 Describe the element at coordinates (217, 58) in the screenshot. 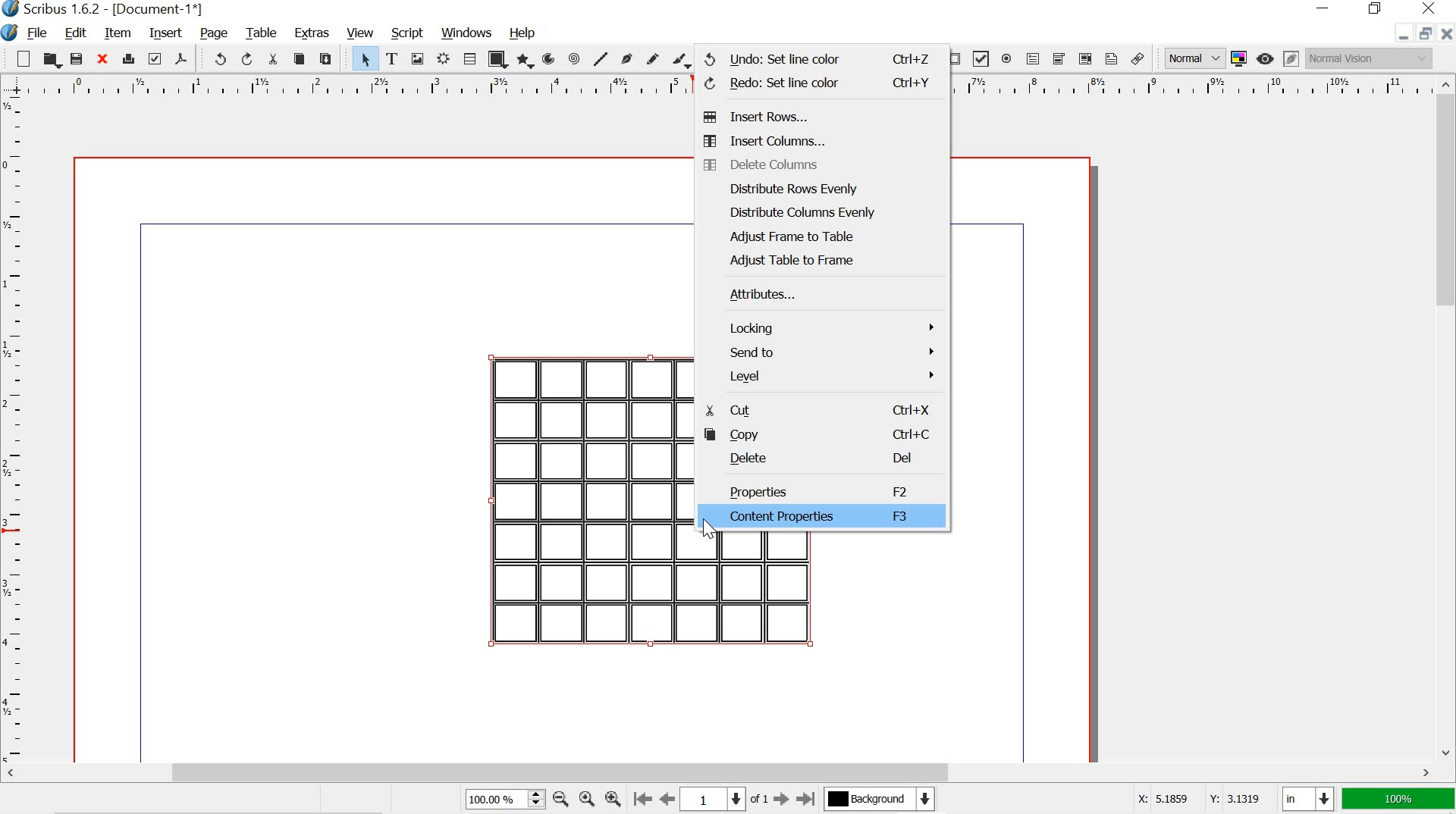

I see `undo` at that location.